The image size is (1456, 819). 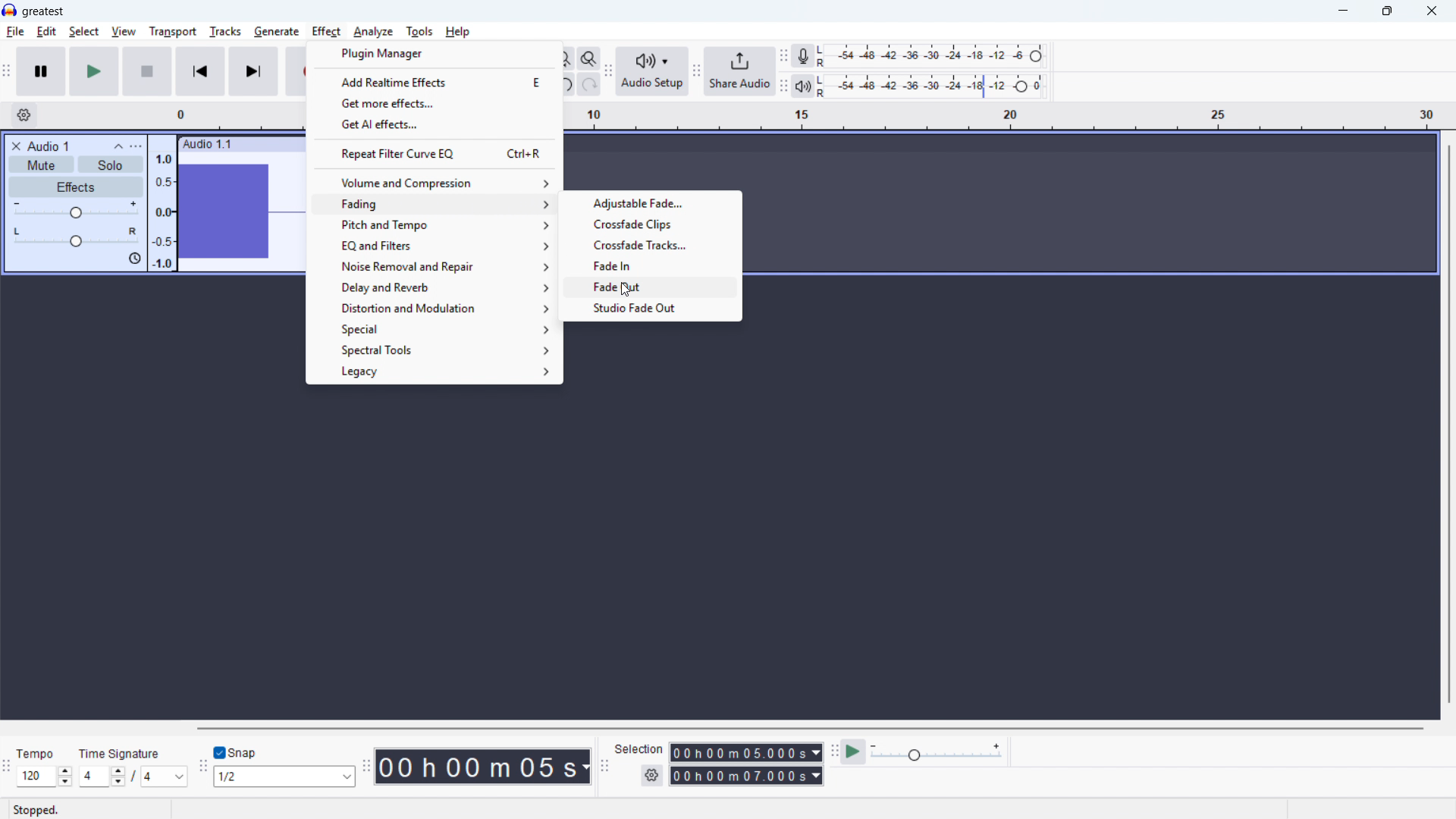 I want to click on Pitch and tempo , so click(x=437, y=224).